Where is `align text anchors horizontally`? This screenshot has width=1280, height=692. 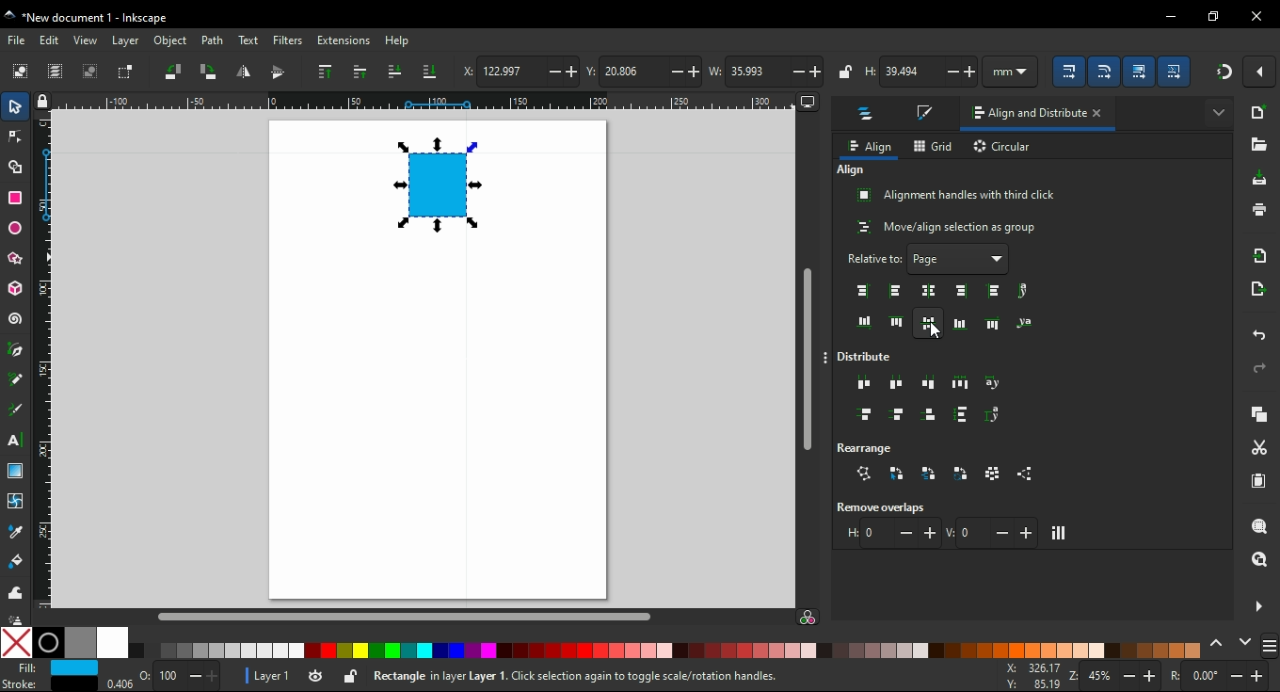 align text anchors horizontally is located at coordinates (1023, 291).